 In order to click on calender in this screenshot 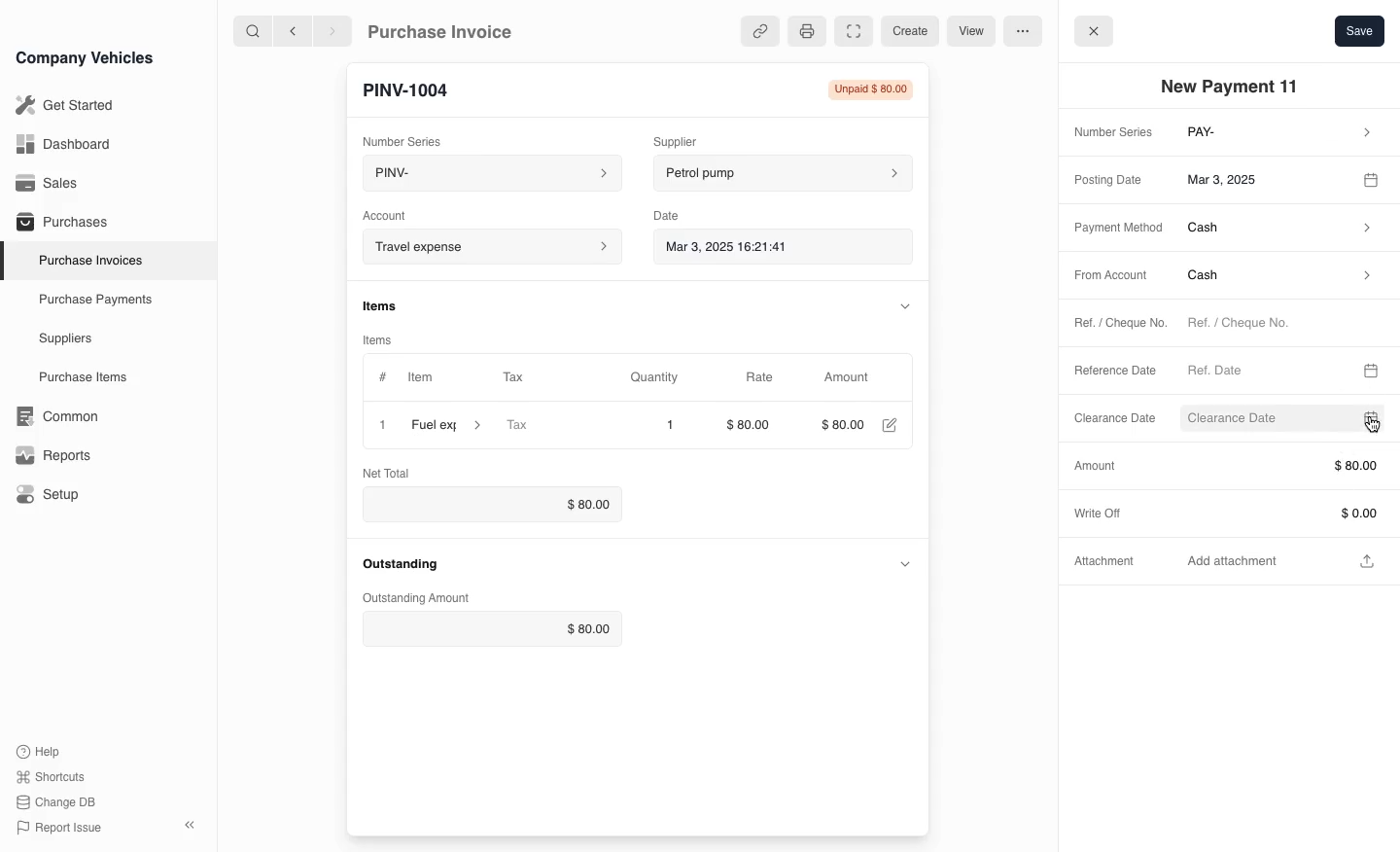, I will do `click(1369, 418)`.